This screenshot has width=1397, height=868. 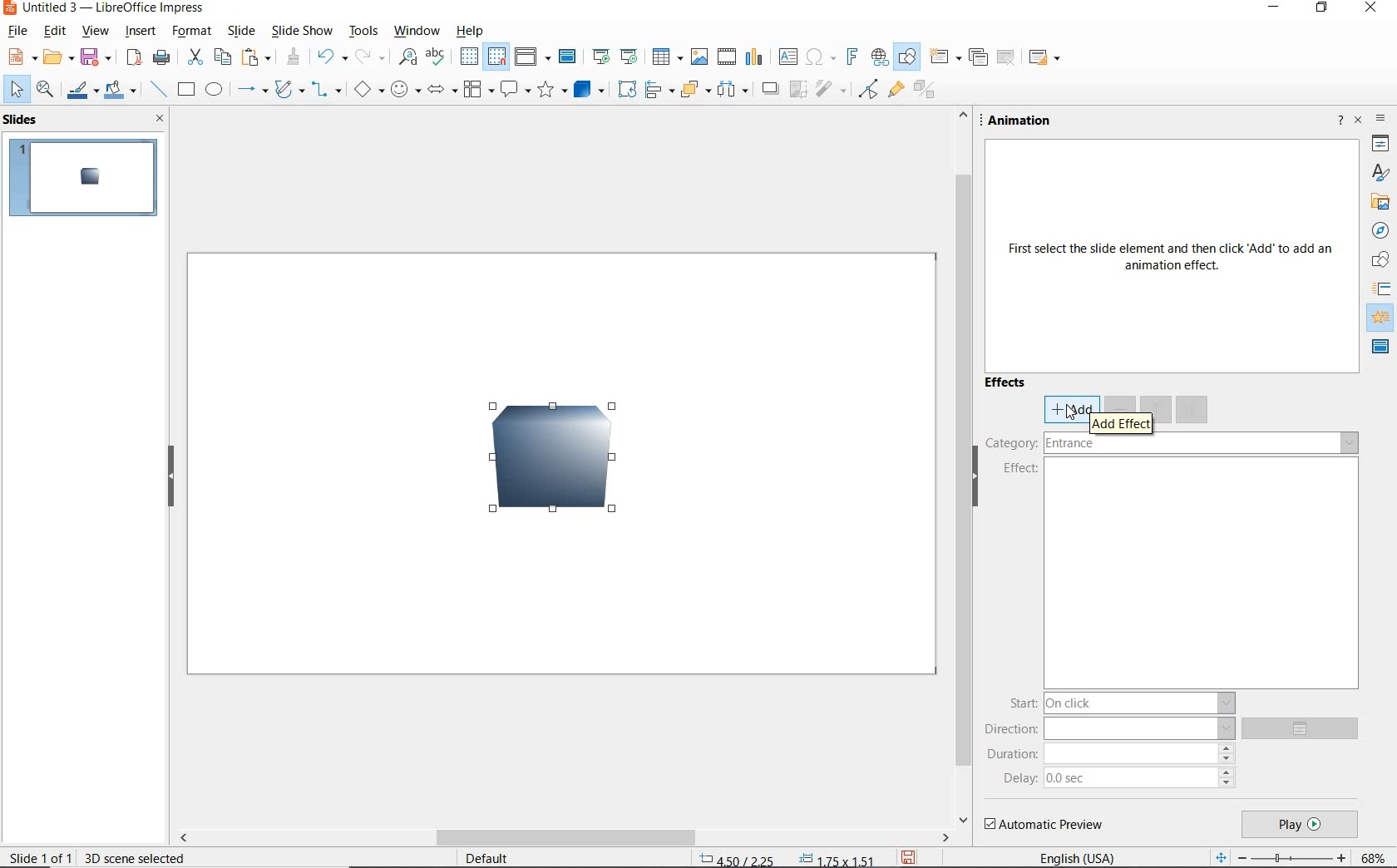 What do you see at coordinates (1019, 471) in the screenshot?
I see `effect` at bounding box center [1019, 471].